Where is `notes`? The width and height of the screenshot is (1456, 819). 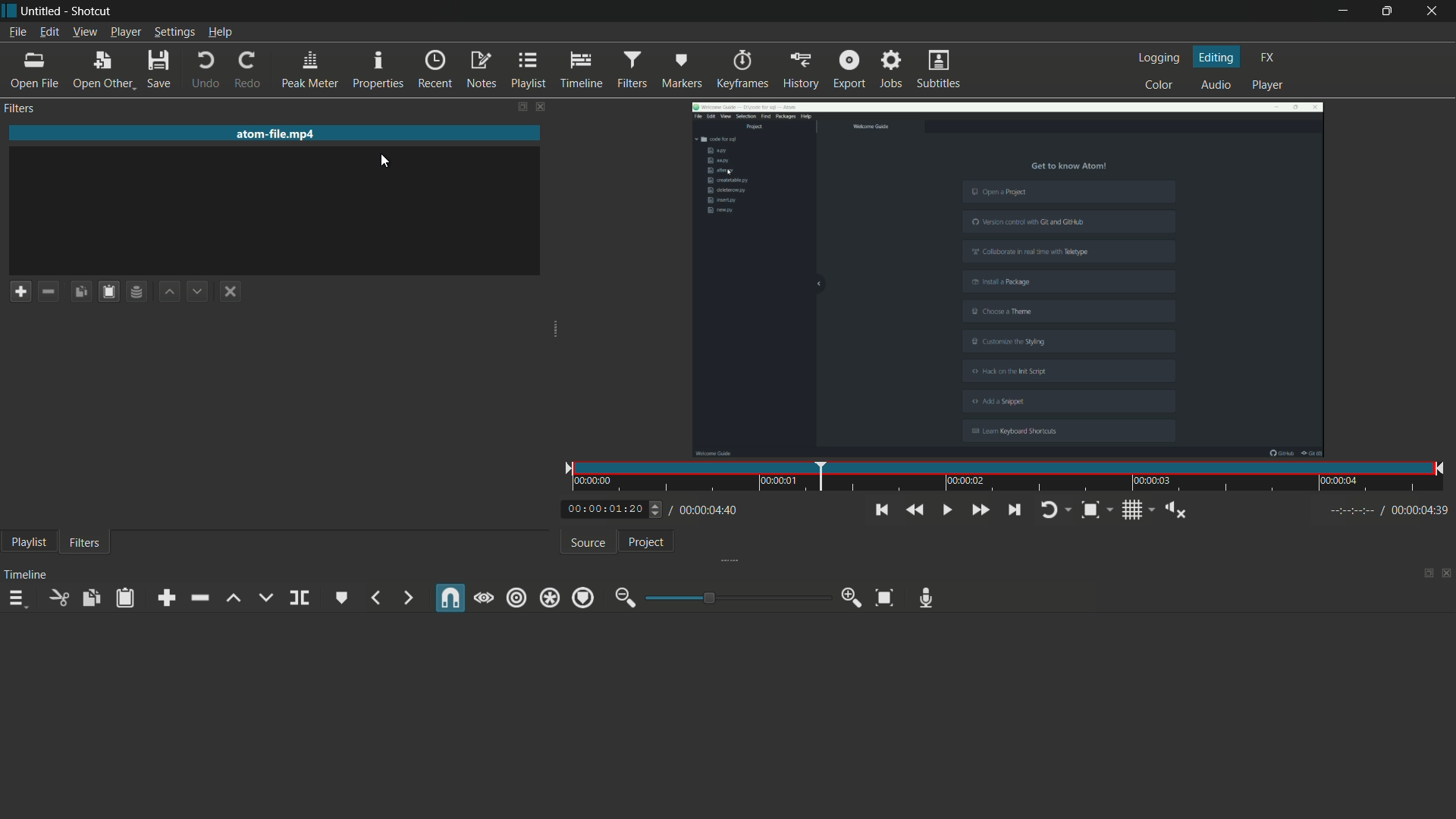 notes is located at coordinates (482, 71).